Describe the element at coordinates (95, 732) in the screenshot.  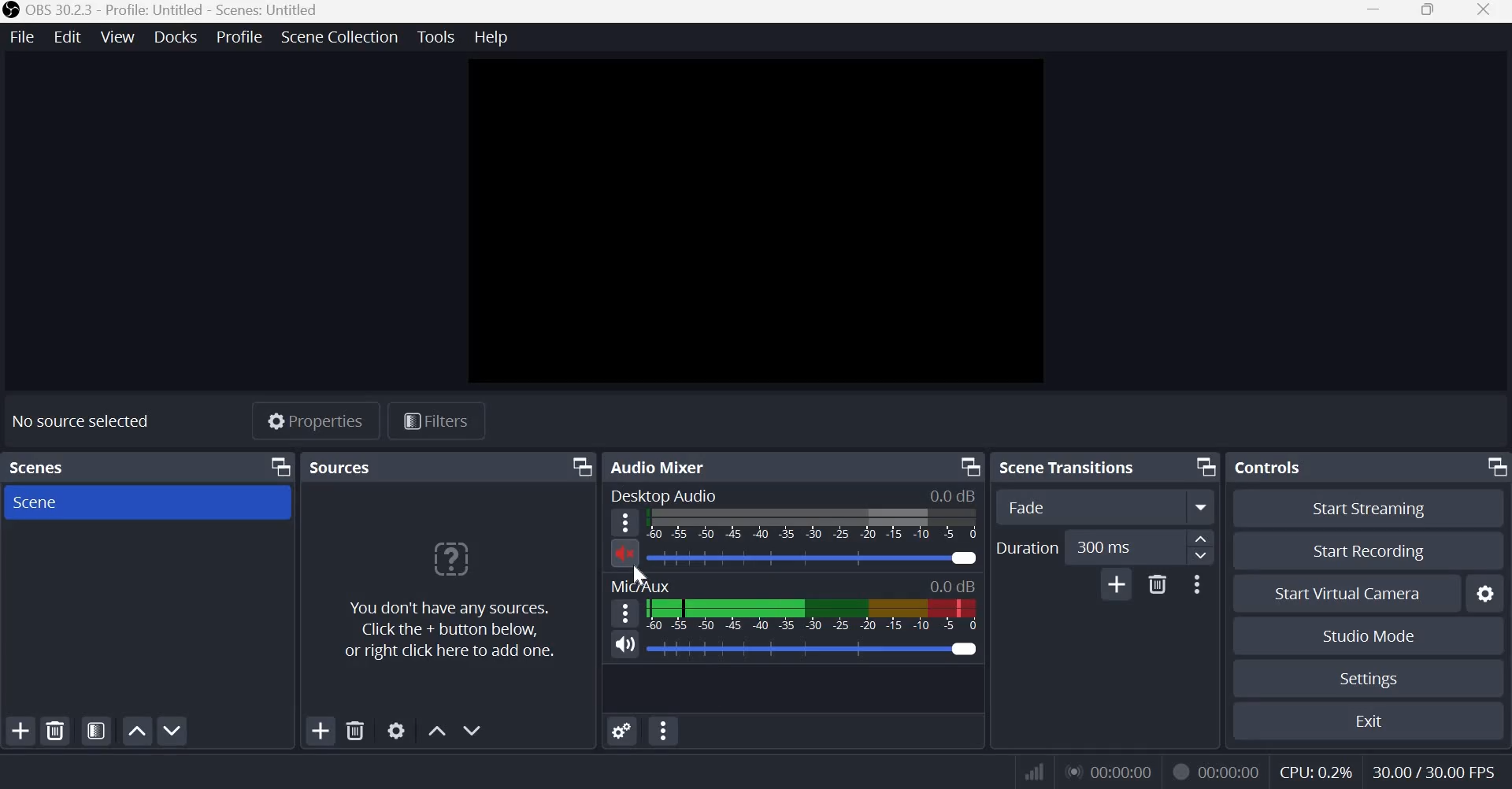
I see `Open scene filters` at that location.